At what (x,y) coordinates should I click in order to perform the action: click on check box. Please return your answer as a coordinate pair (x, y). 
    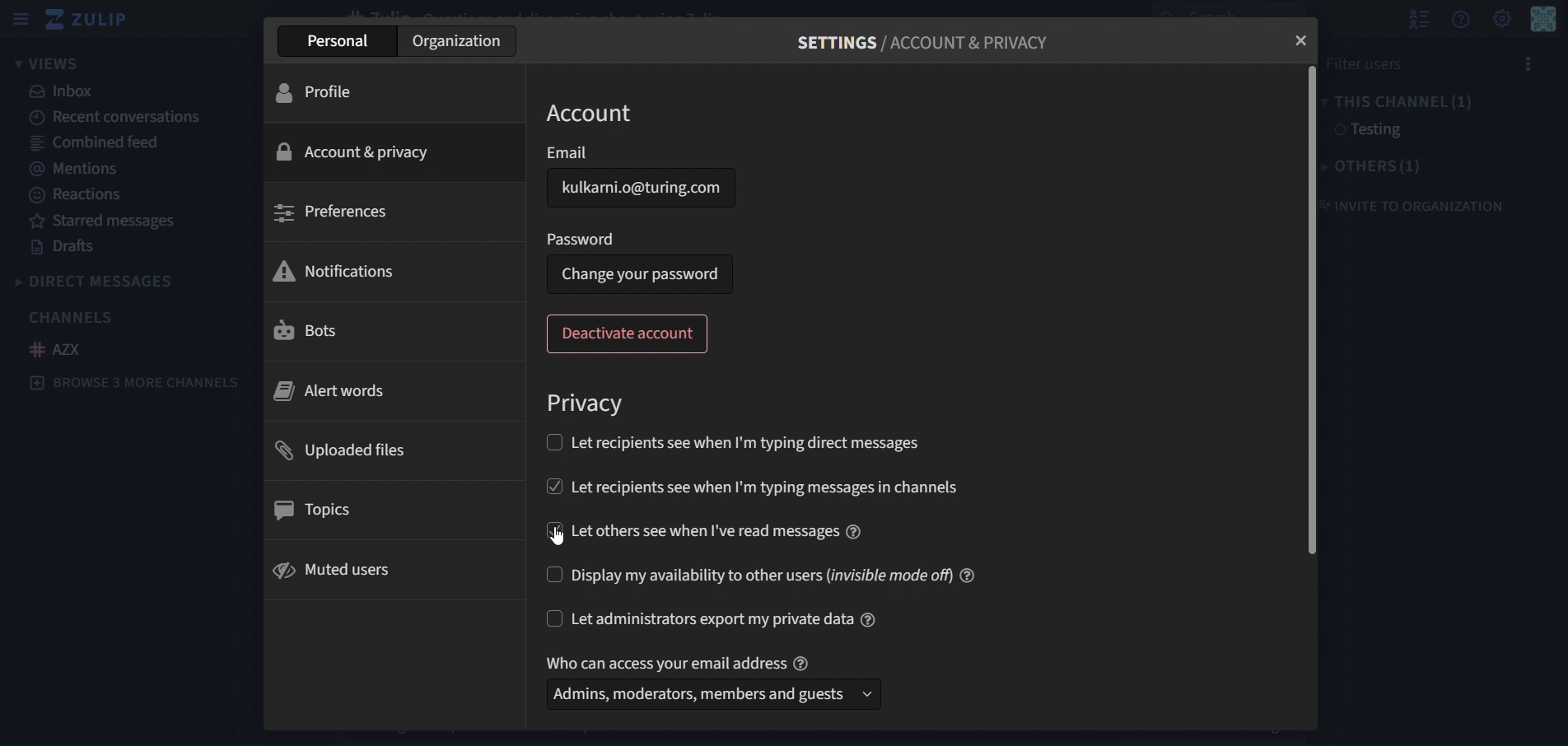
    Looking at the image, I should click on (550, 483).